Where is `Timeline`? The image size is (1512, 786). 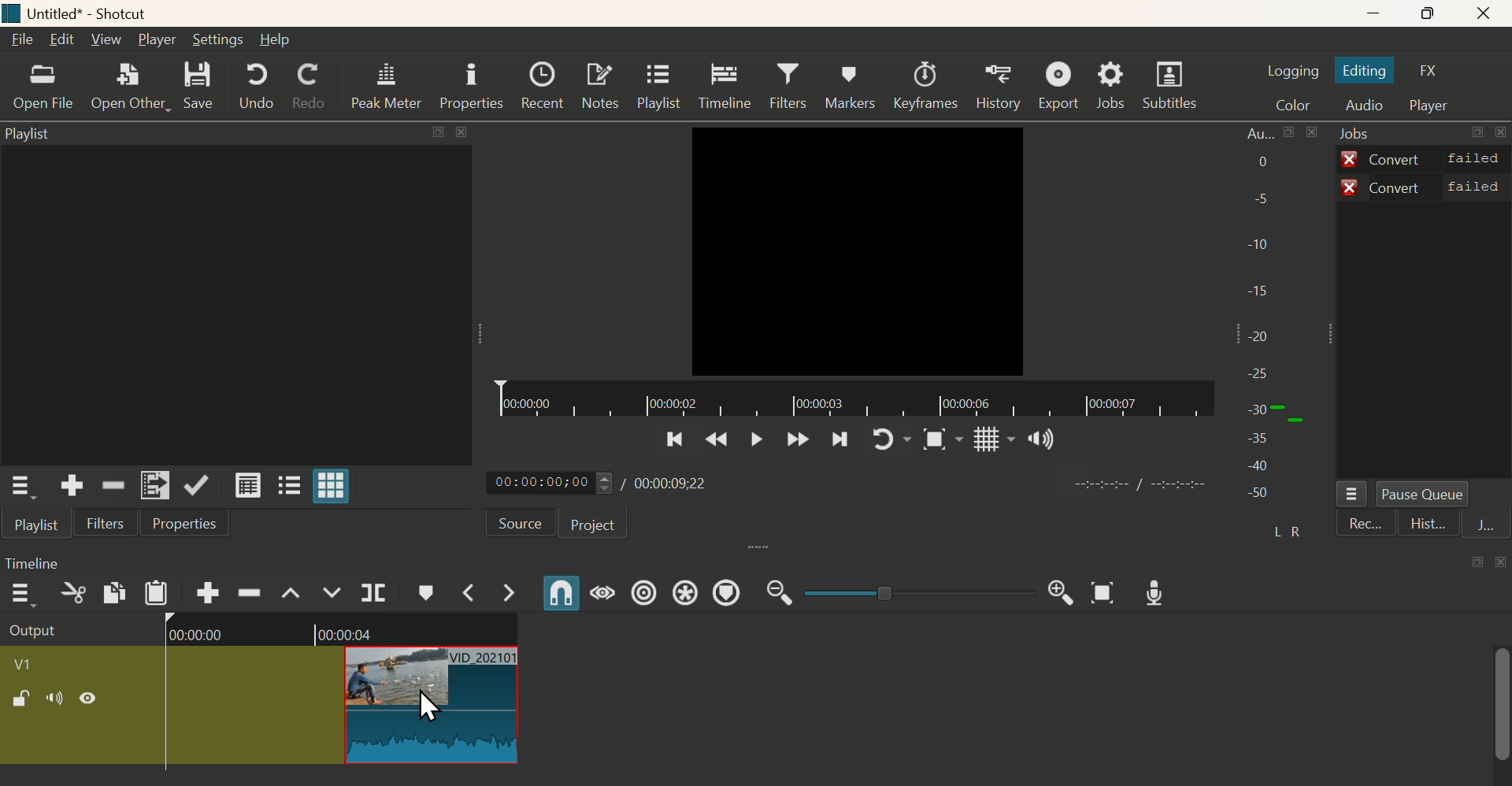
Timeline is located at coordinates (724, 86).